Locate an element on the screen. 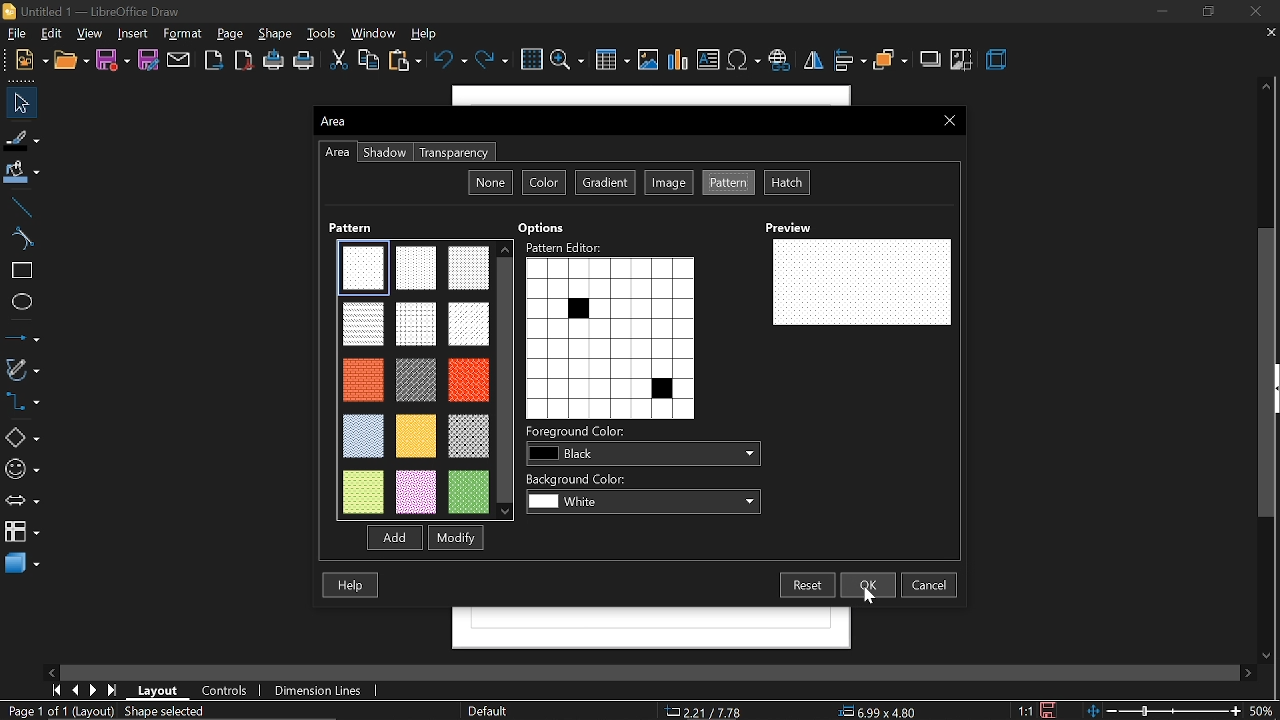 This screenshot has height=720, width=1280. vertical scrollbar is located at coordinates (1269, 372).